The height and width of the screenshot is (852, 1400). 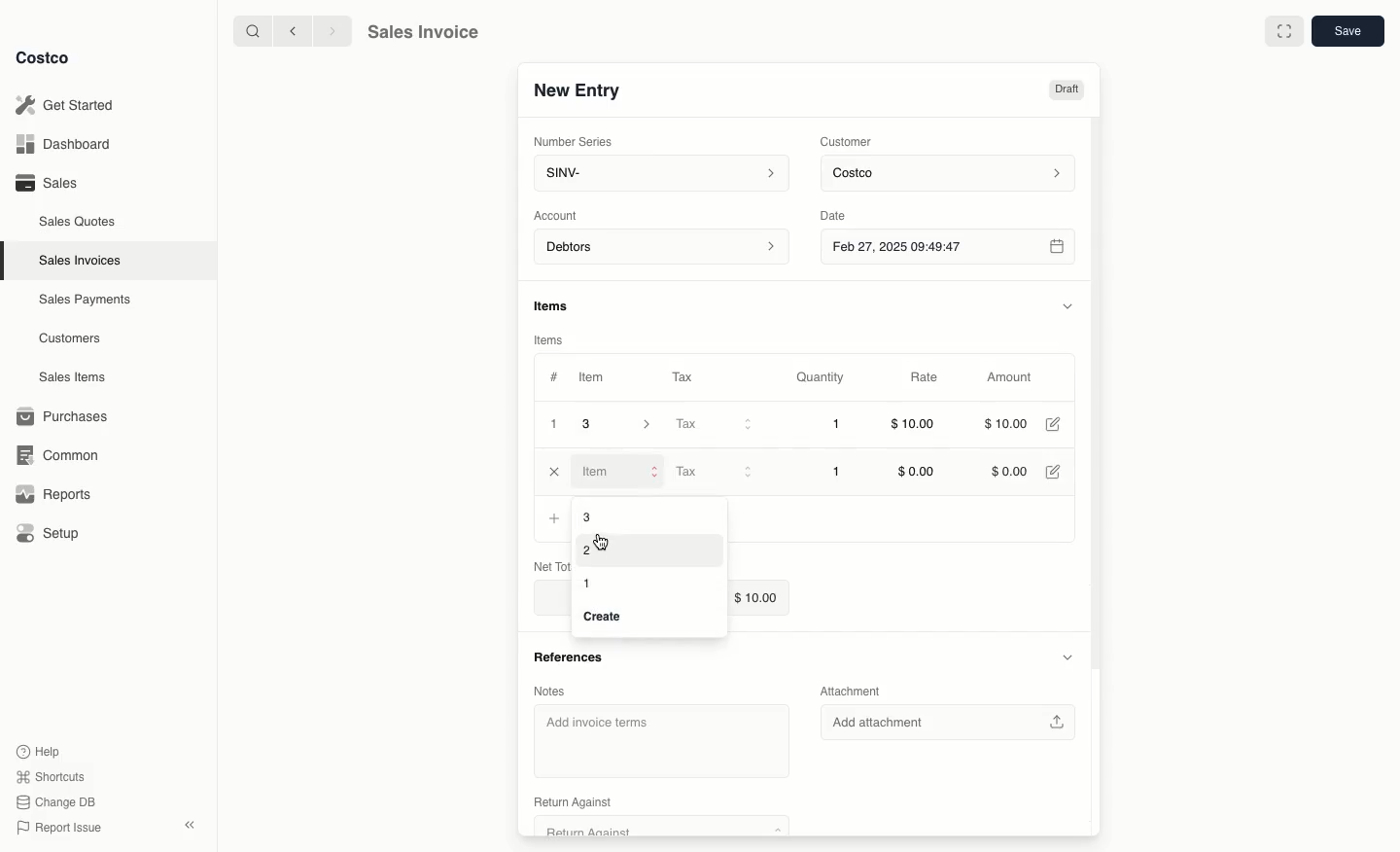 I want to click on Add, so click(x=552, y=518).